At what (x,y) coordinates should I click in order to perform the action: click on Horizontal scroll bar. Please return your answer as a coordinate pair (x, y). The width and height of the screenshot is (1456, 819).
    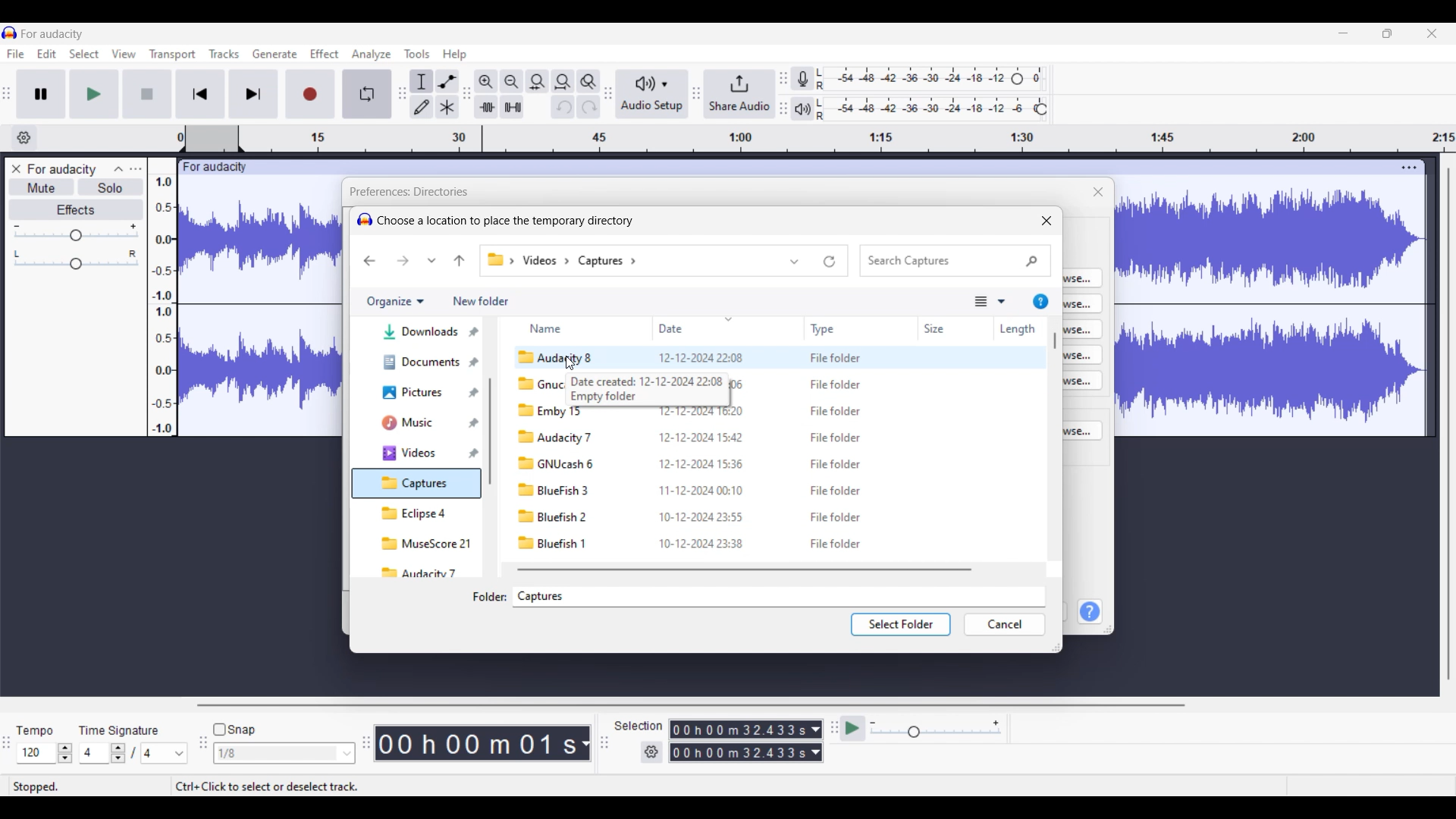
    Looking at the image, I should click on (689, 705).